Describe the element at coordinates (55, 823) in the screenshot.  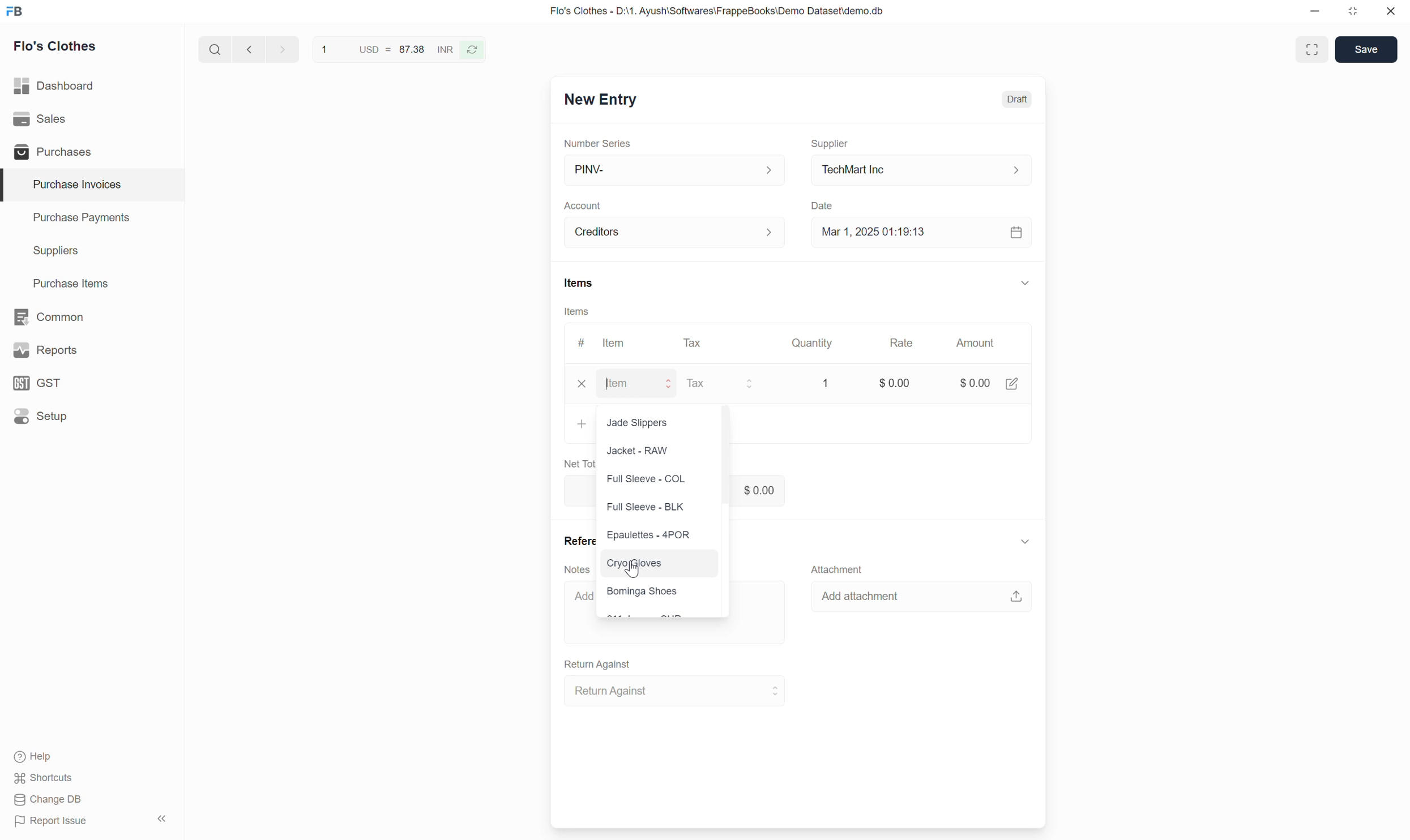
I see `Report issue` at that location.